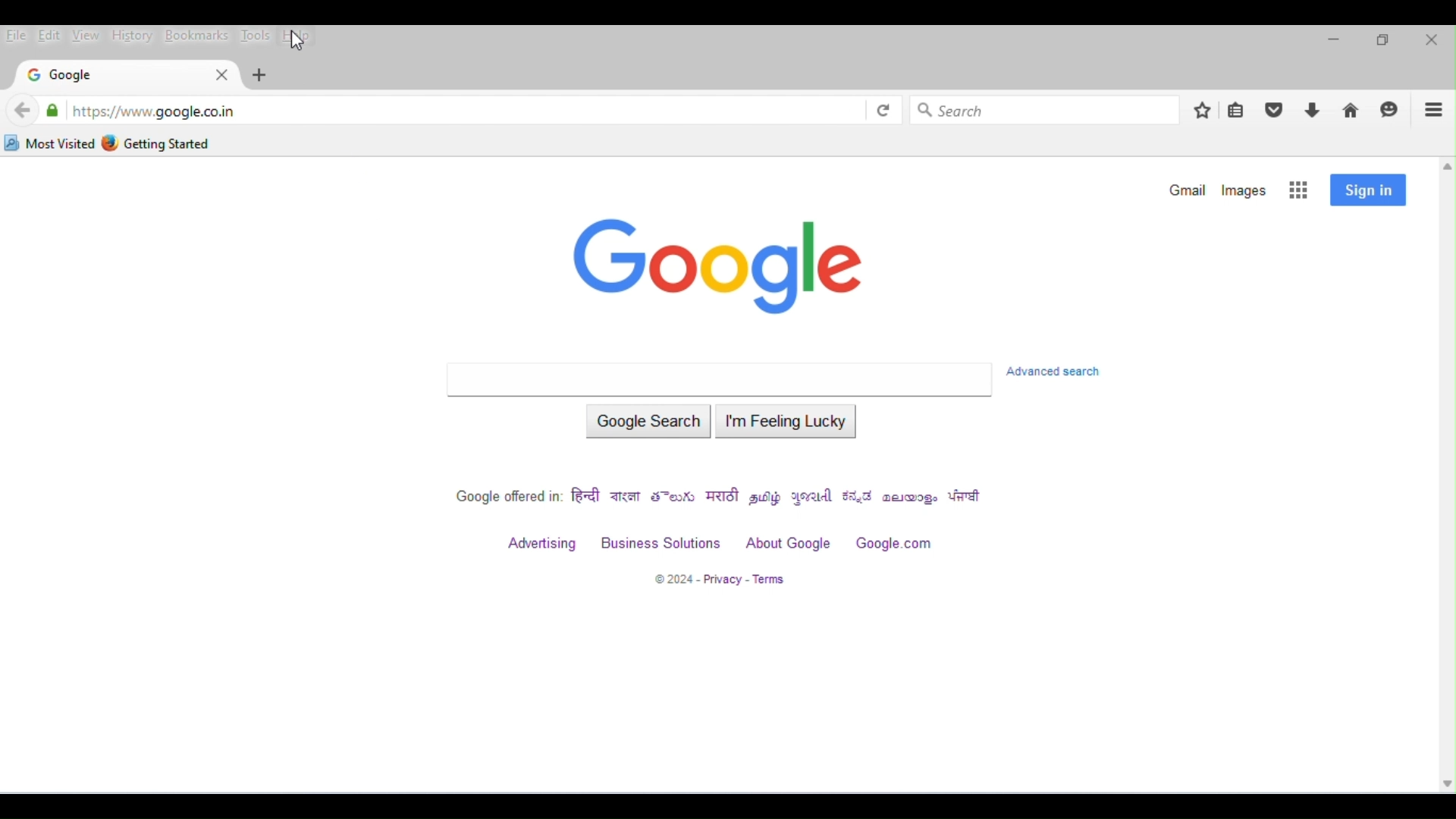 The width and height of the screenshot is (1456, 819). I want to click on cursor, so click(299, 42).